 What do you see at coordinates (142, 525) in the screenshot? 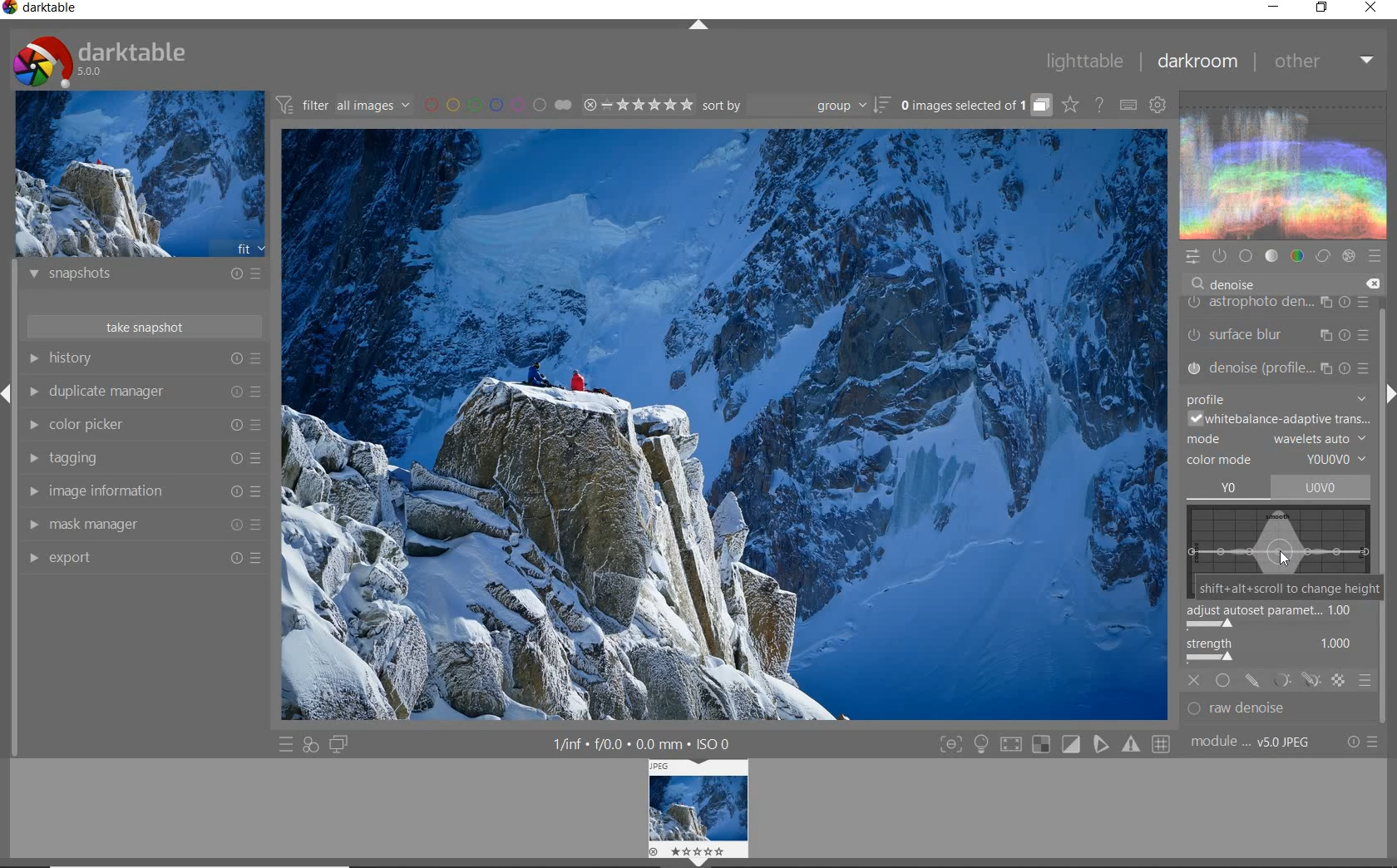
I see `mask manager` at bounding box center [142, 525].